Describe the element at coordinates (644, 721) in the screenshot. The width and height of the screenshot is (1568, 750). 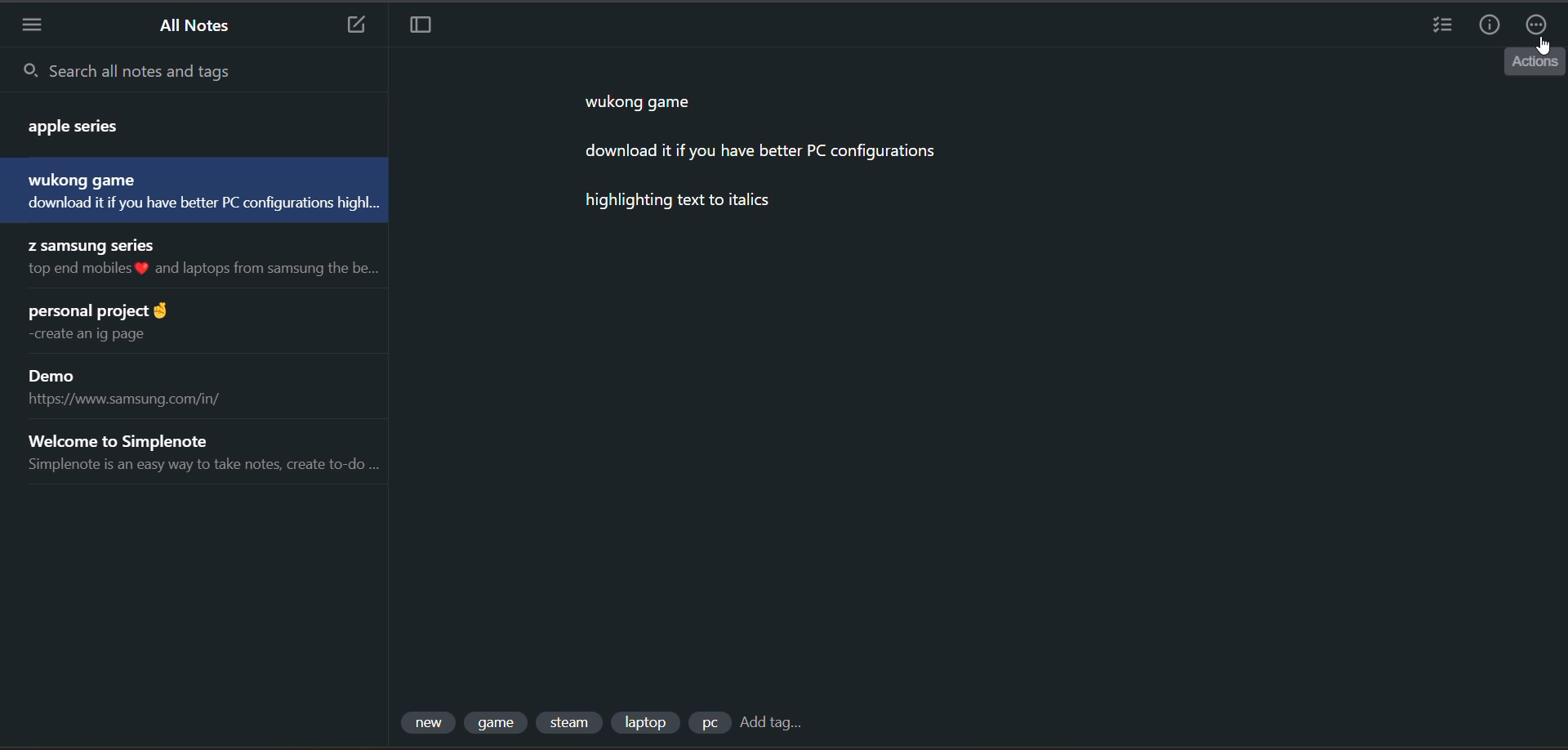
I see `tag 4` at that location.